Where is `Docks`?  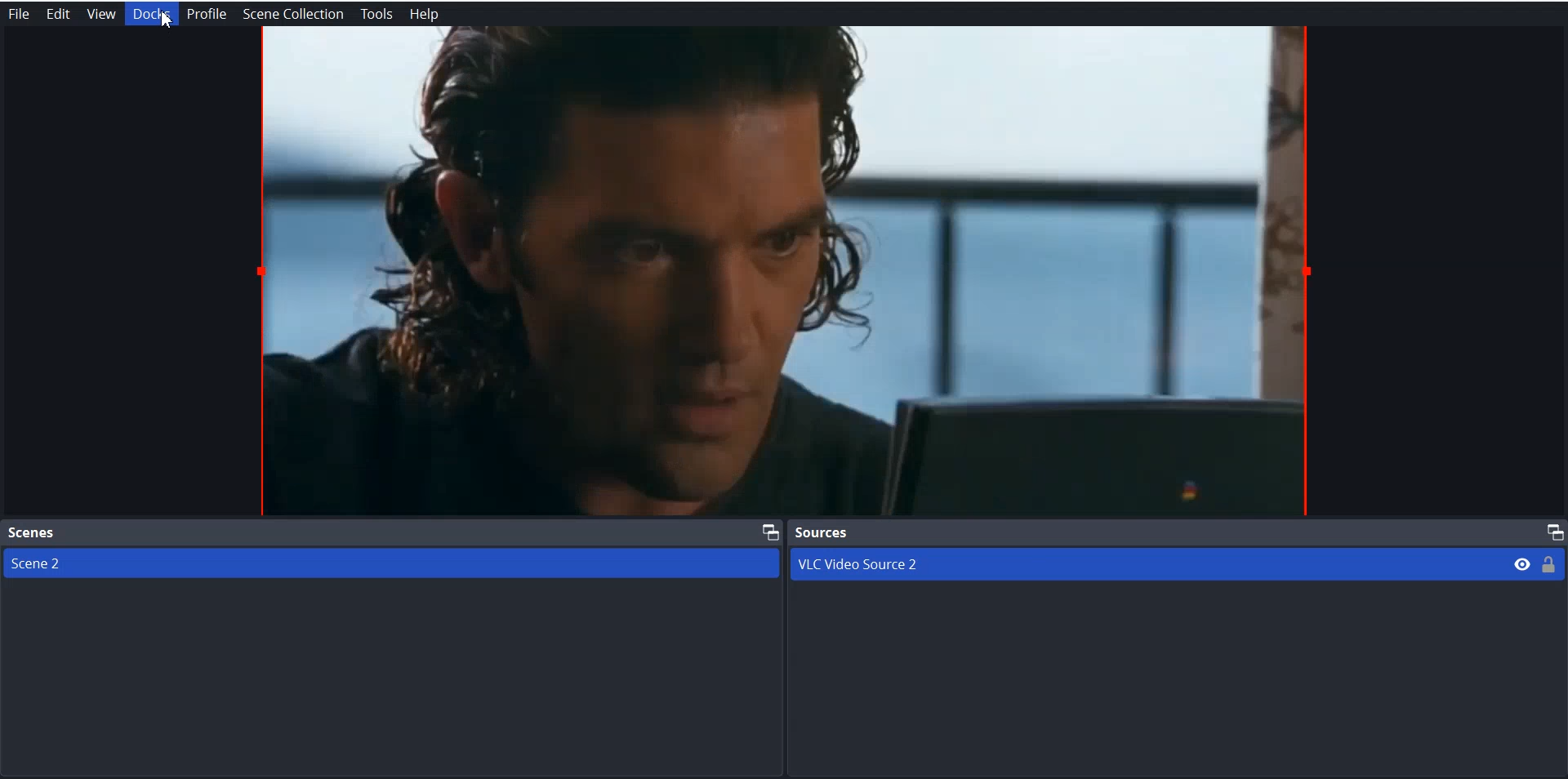 Docks is located at coordinates (151, 14).